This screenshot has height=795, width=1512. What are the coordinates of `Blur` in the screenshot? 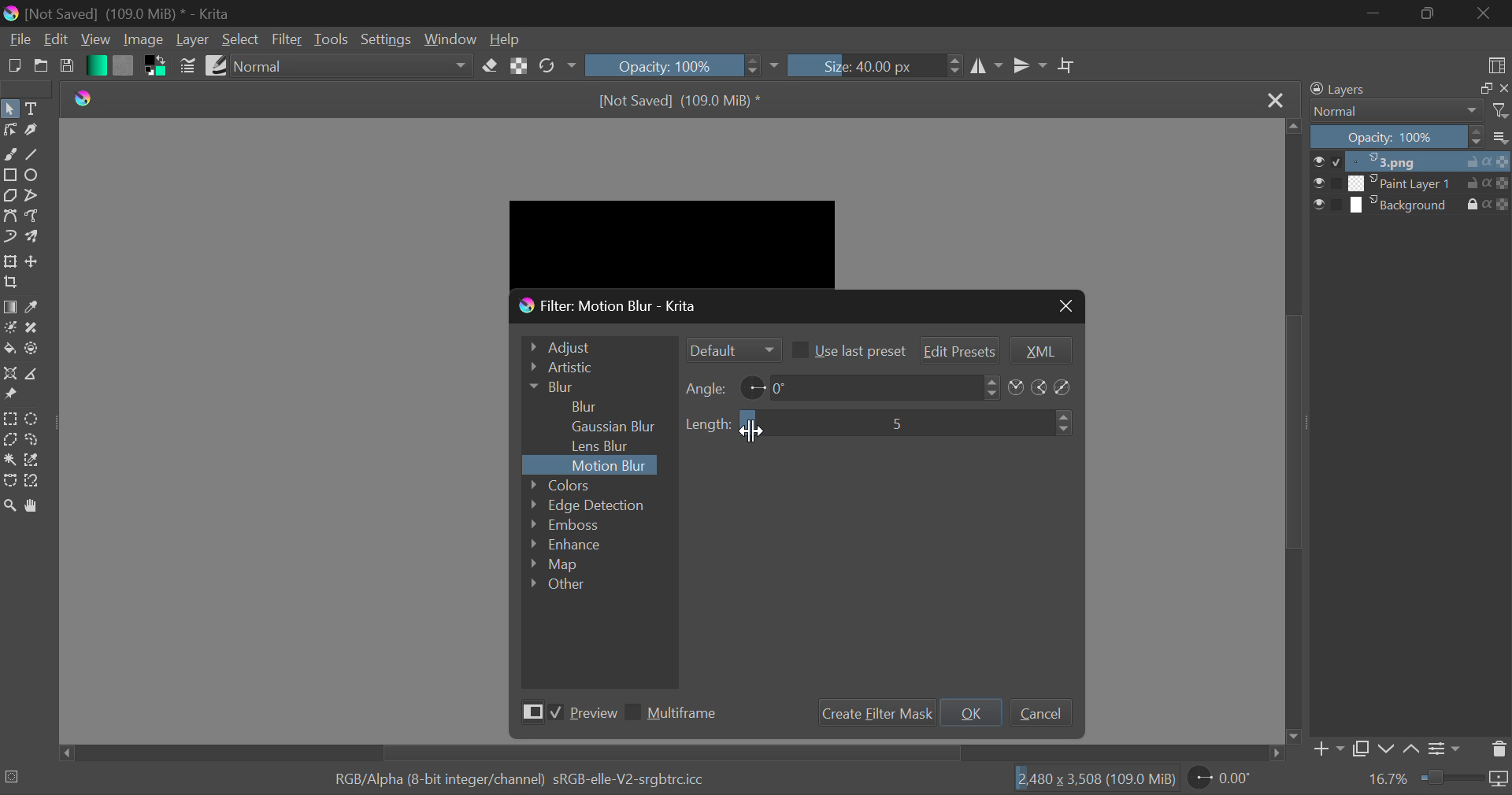 It's located at (586, 405).